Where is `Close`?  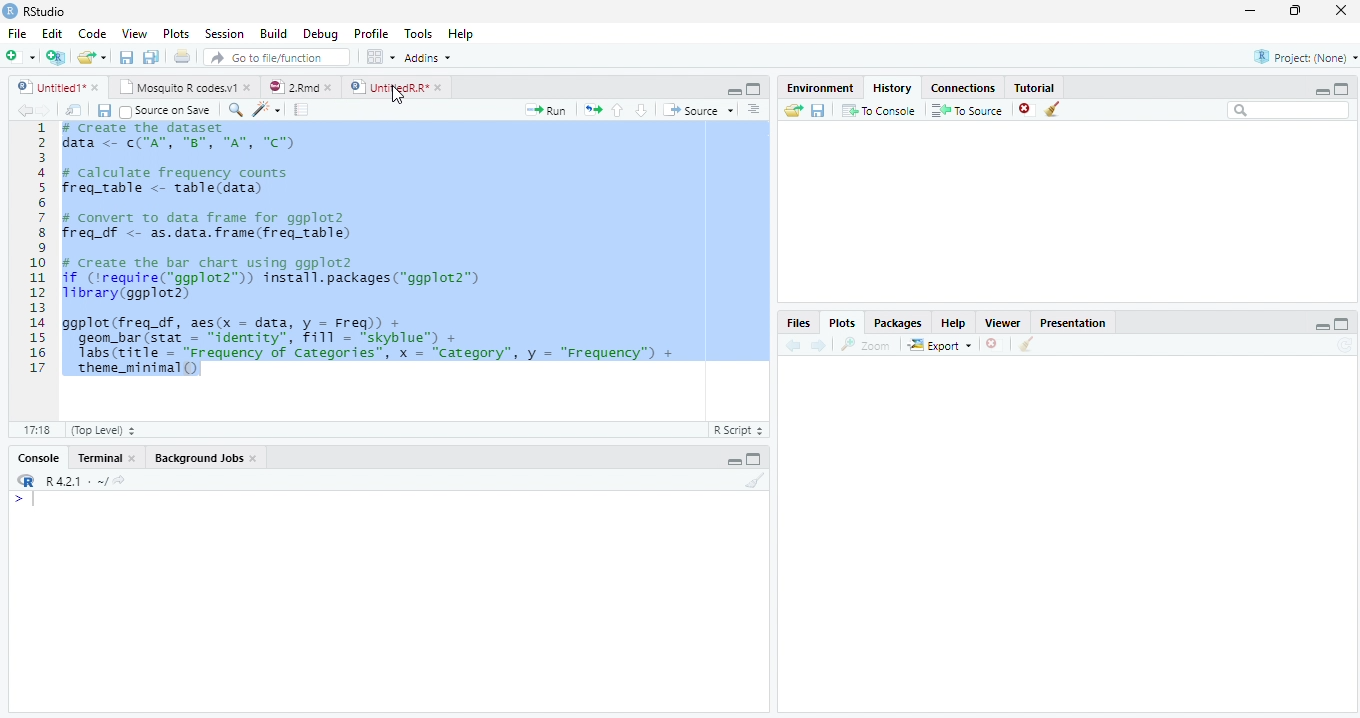 Close is located at coordinates (1340, 11).